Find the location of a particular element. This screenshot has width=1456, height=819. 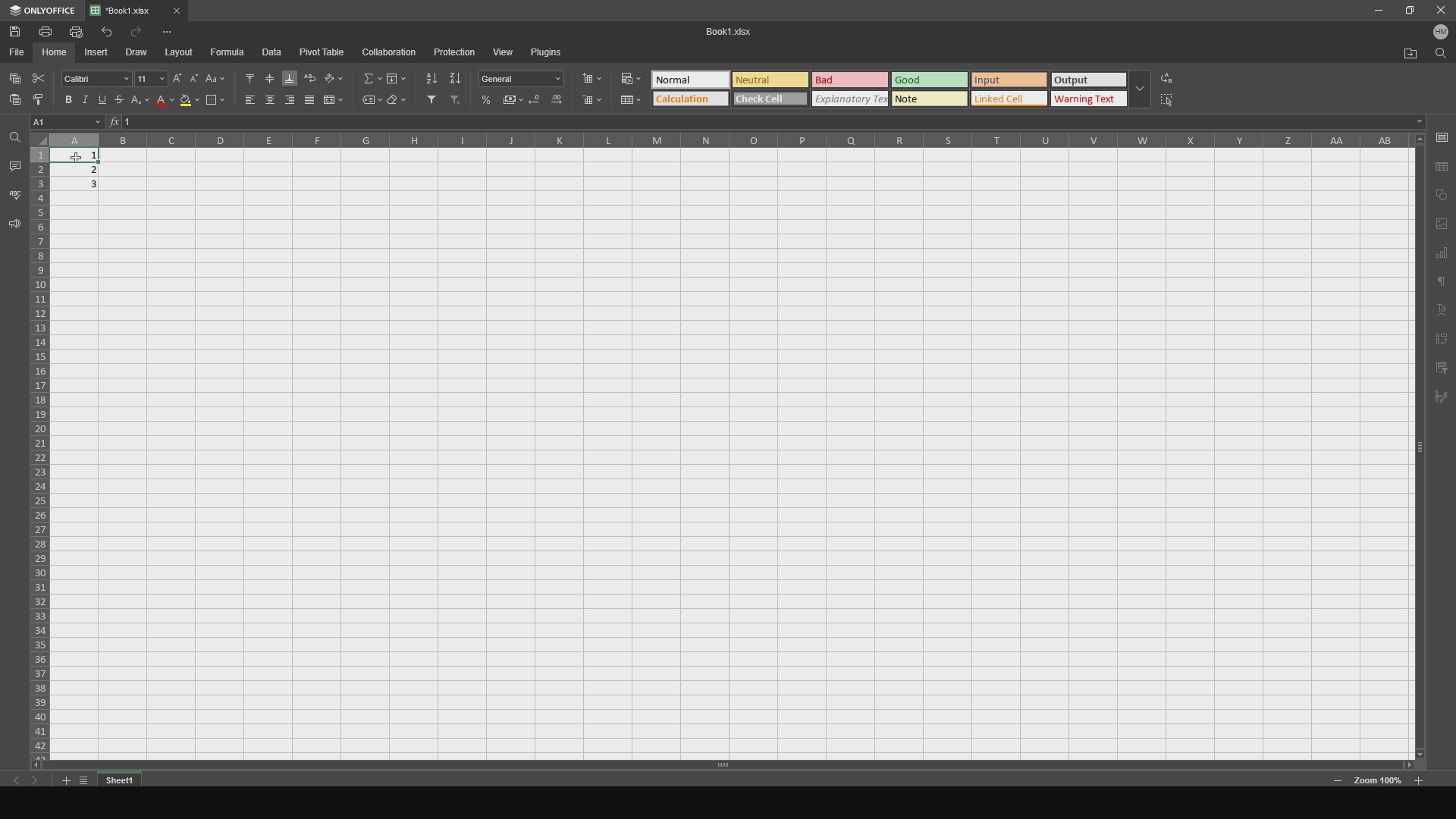

draw is located at coordinates (141, 52).